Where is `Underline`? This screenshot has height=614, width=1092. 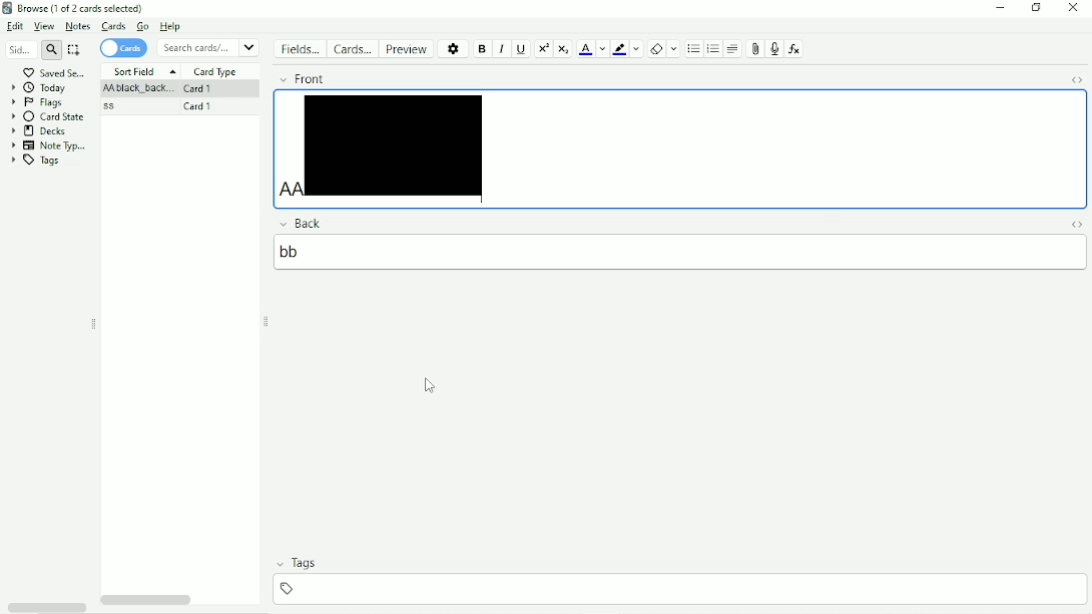
Underline is located at coordinates (521, 50).